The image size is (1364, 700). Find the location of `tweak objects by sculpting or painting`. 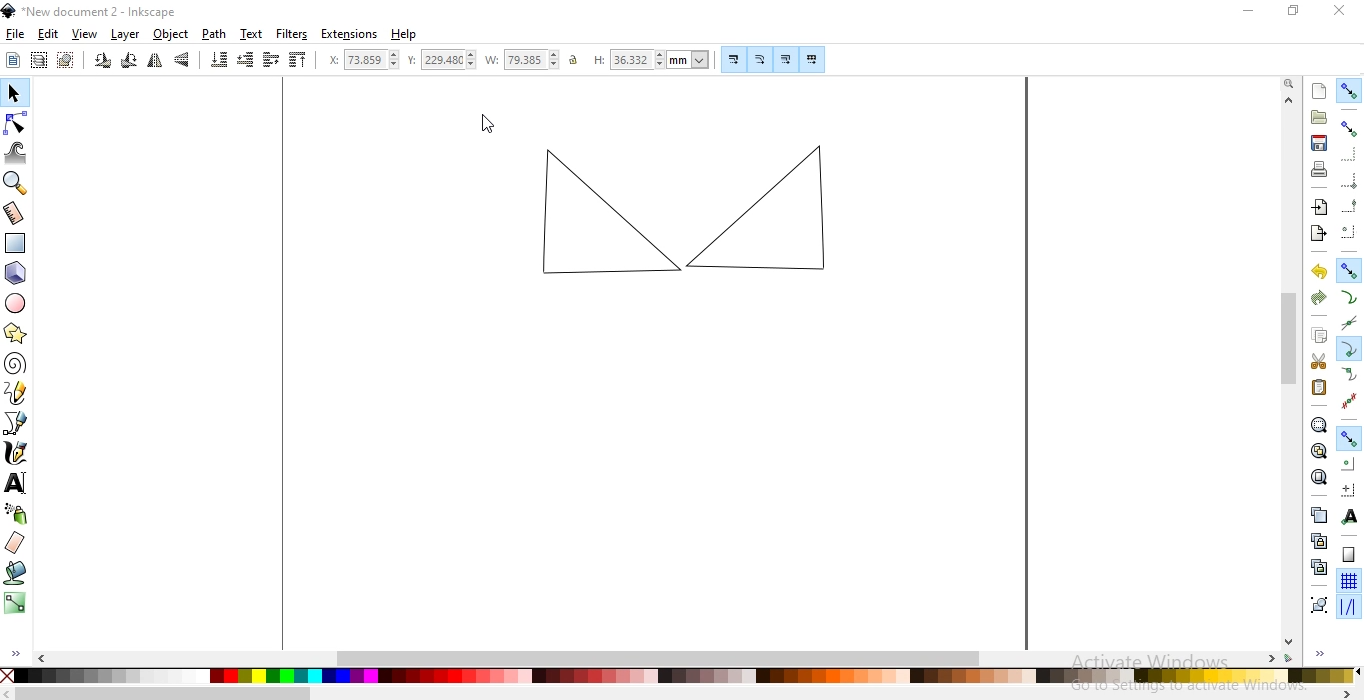

tweak objects by sculpting or painting is located at coordinates (15, 153).